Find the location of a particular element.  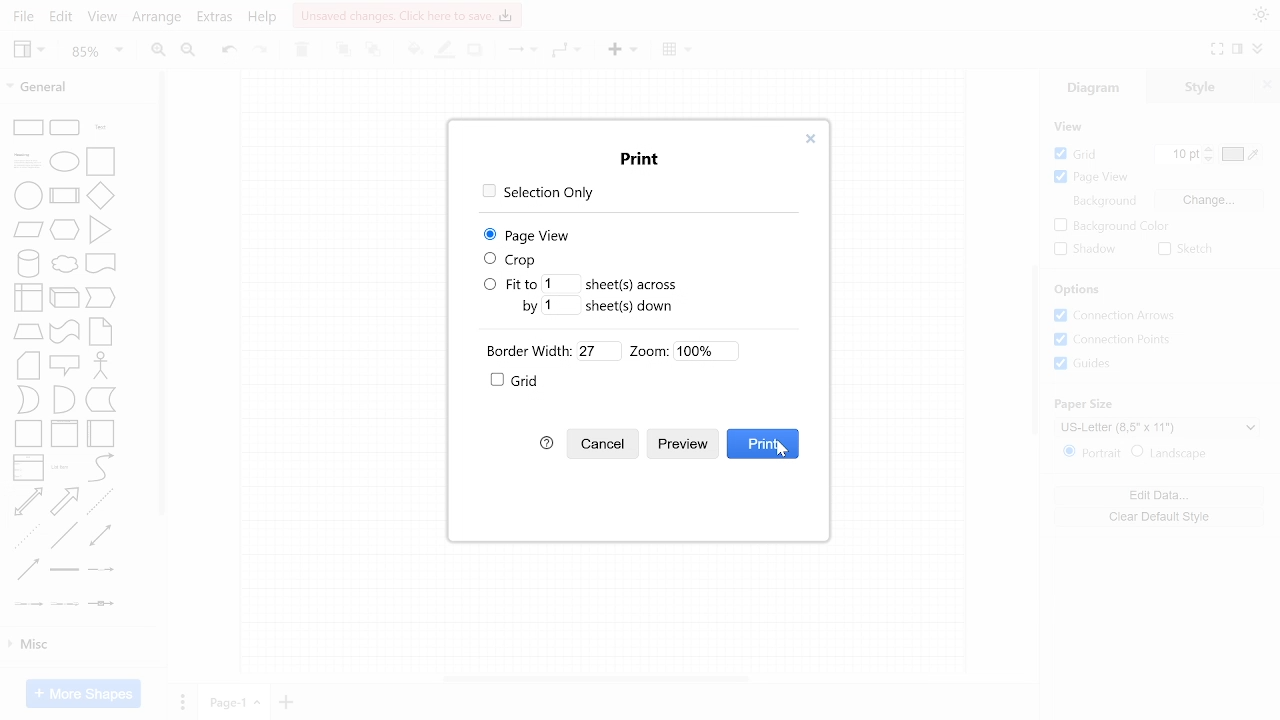

Data storage is located at coordinates (101, 399).